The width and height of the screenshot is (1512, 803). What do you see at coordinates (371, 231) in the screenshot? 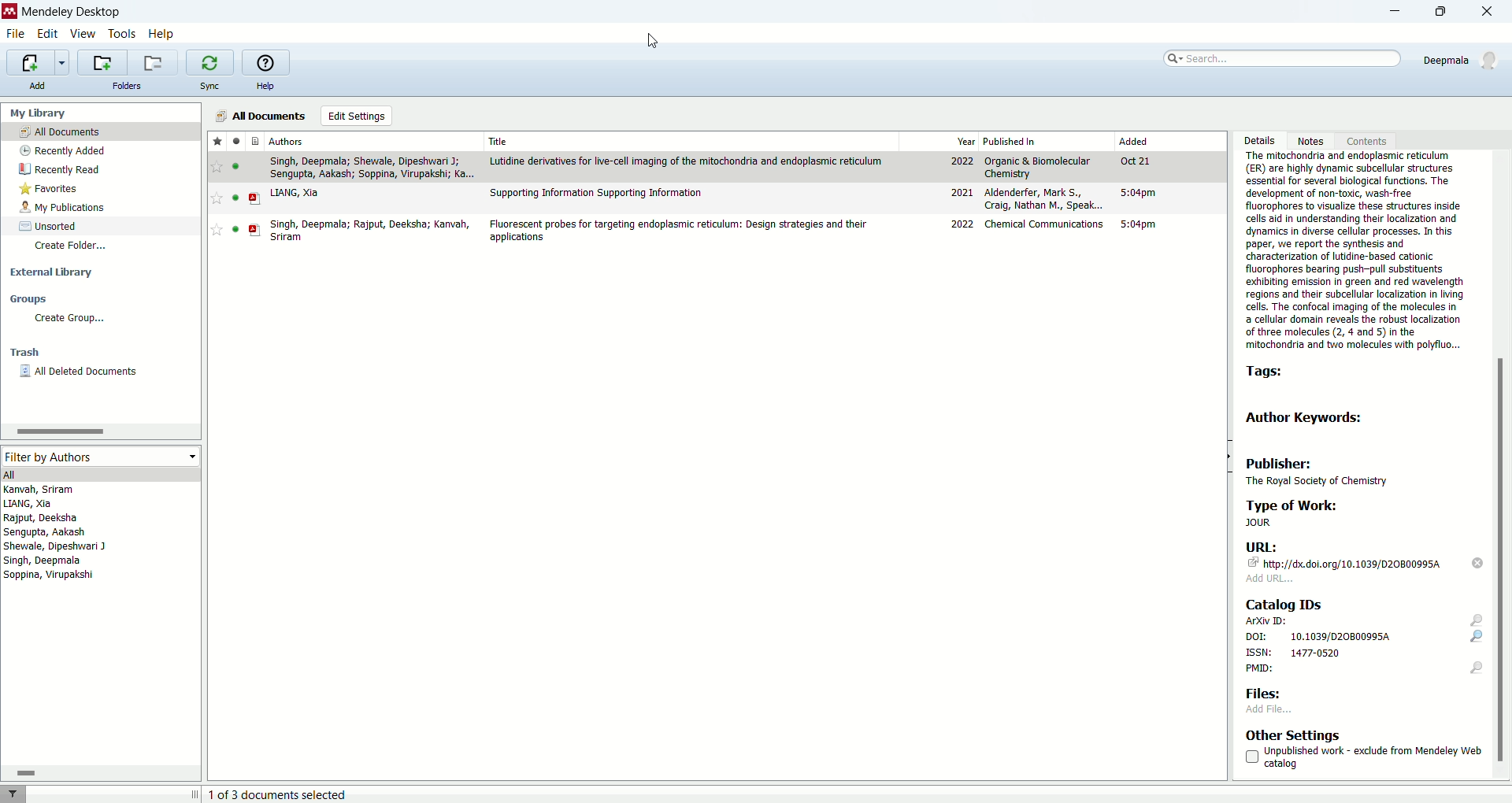
I see `singh, deepmala; rajput, deeksha; kanvah, sriram` at bounding box center [371, 231].